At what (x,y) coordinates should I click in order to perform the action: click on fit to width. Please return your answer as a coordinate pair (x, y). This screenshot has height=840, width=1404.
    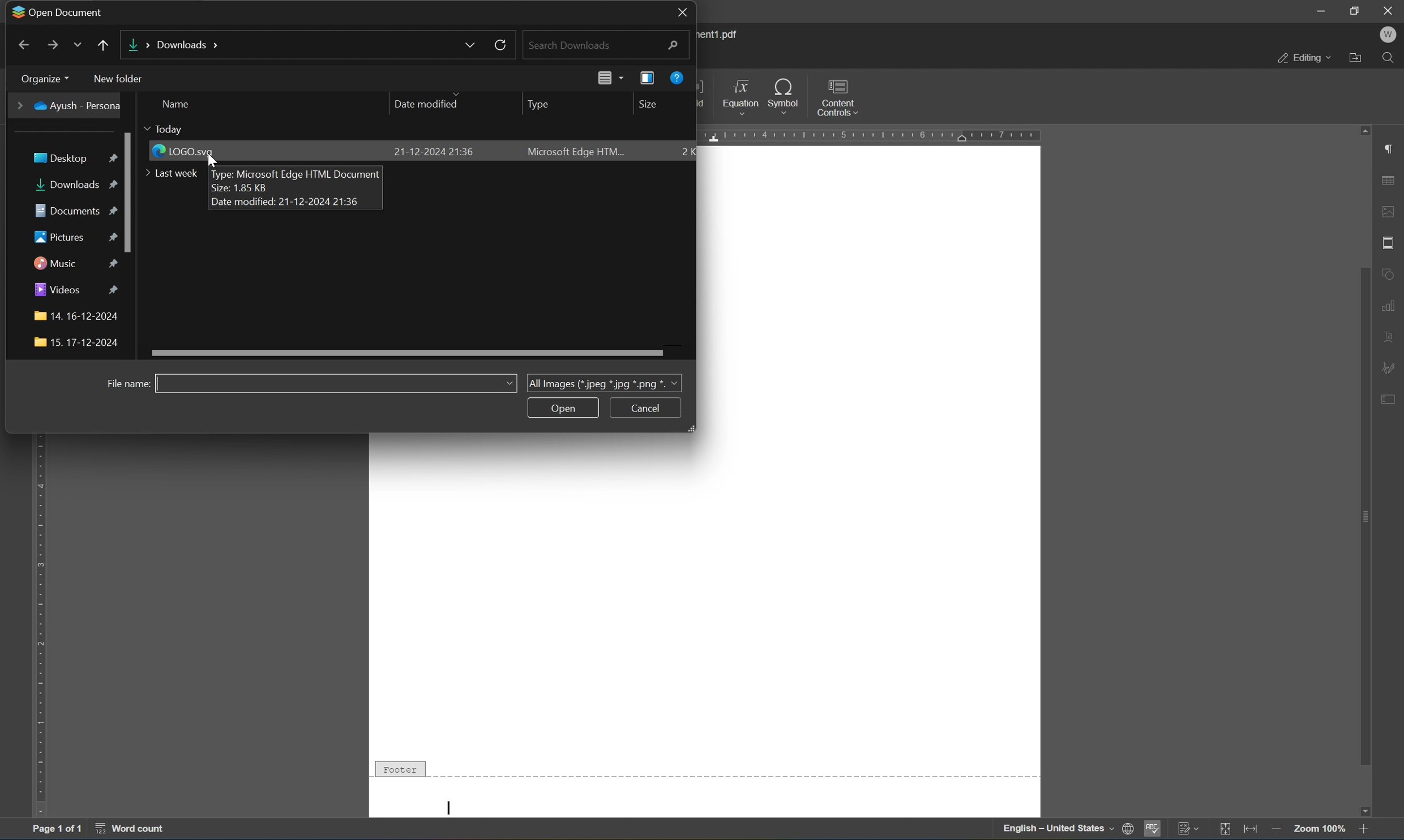
    Looking at the image, I should click on (1251, 830).